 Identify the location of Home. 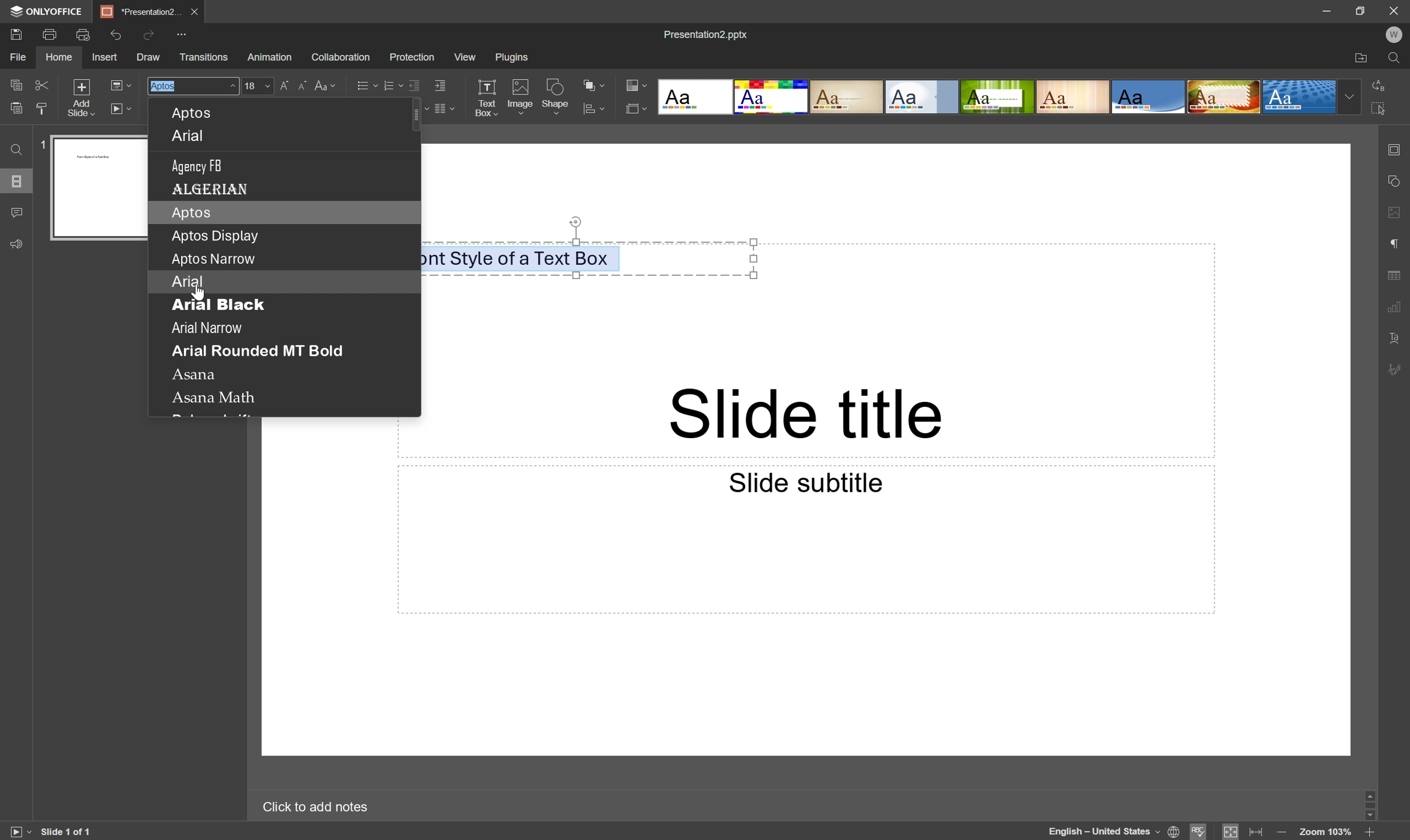
(59, 57).